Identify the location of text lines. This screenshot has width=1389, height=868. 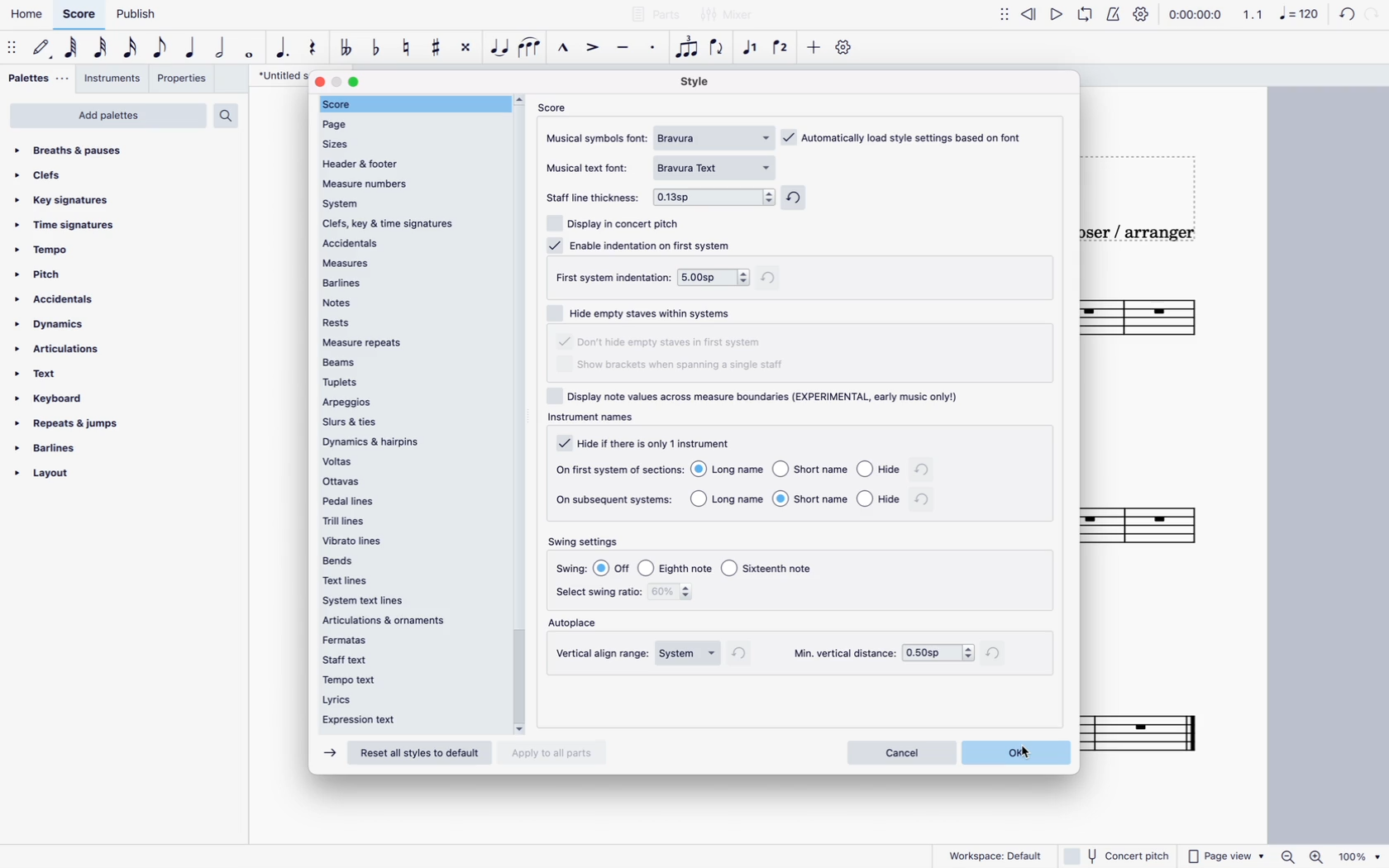
(410, 582).